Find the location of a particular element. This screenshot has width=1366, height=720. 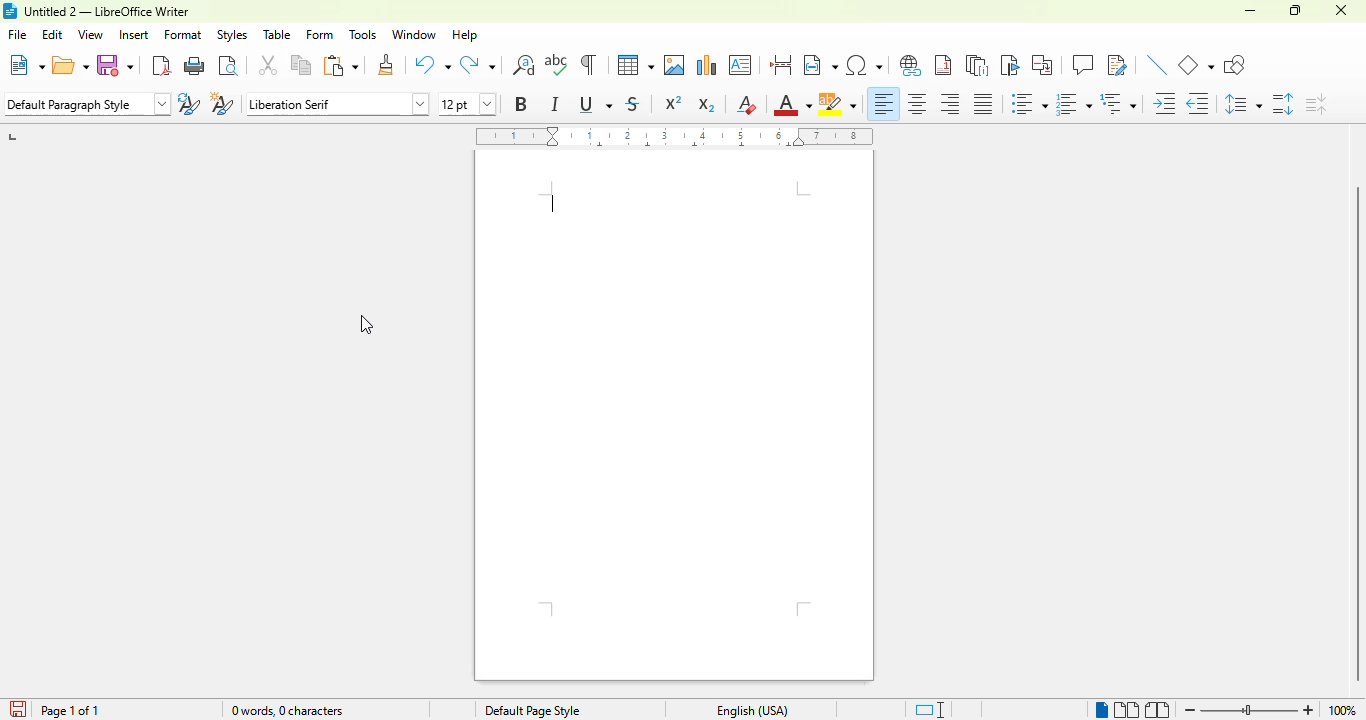

update selected style is located at coordinates (190, 104).